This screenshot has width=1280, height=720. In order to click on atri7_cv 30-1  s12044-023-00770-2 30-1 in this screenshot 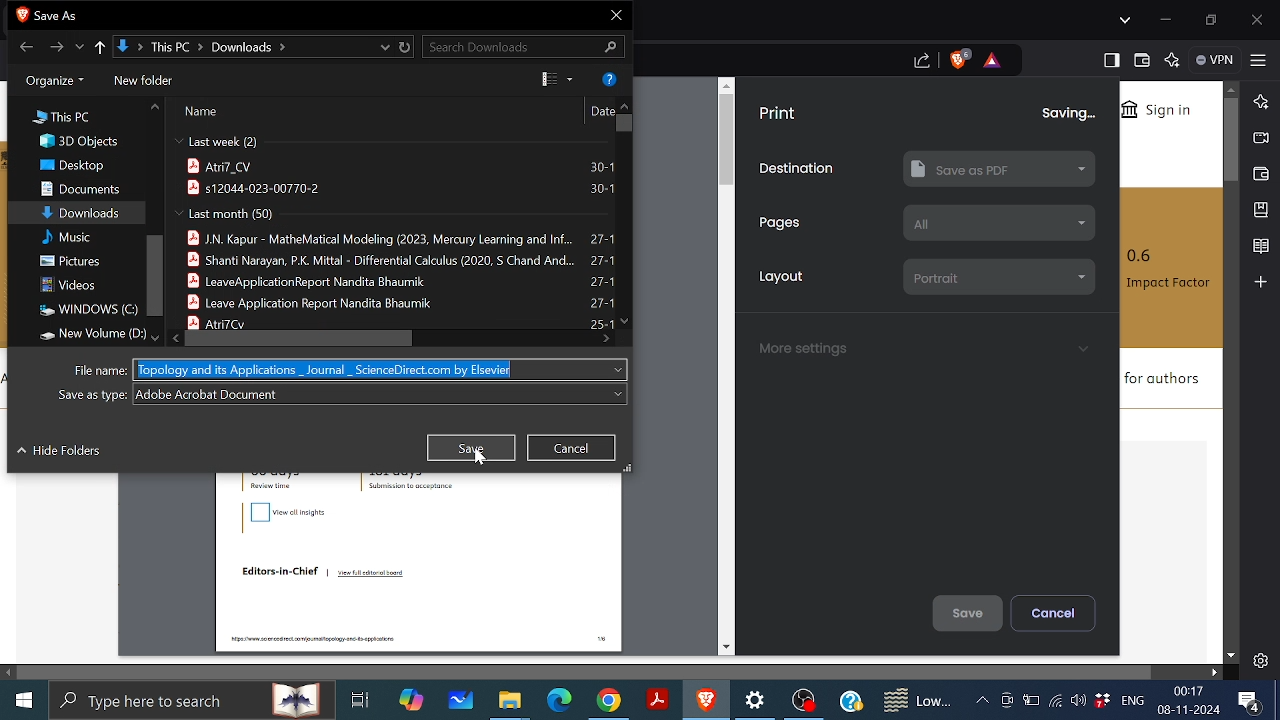, I will do `click(400, 177)`.